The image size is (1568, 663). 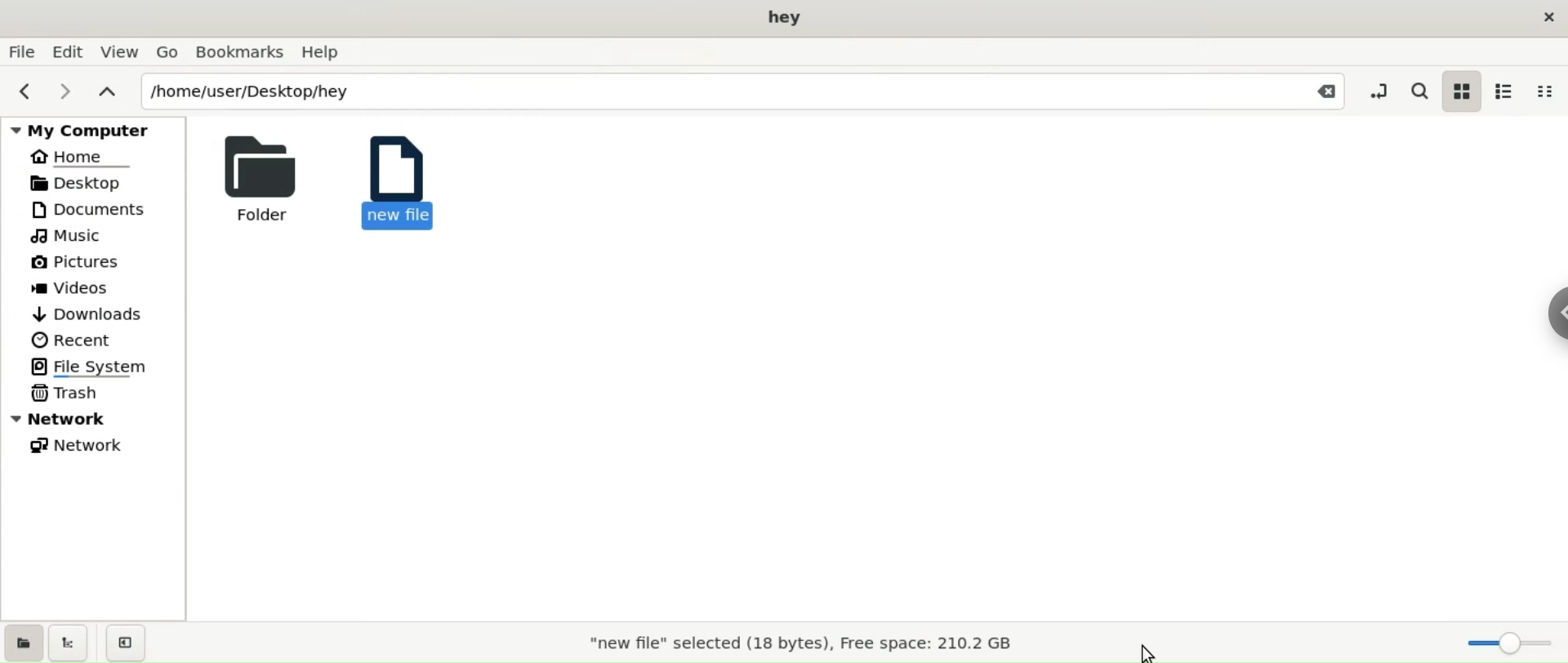 I want to click on Desktop, so click(x=93, y=182).